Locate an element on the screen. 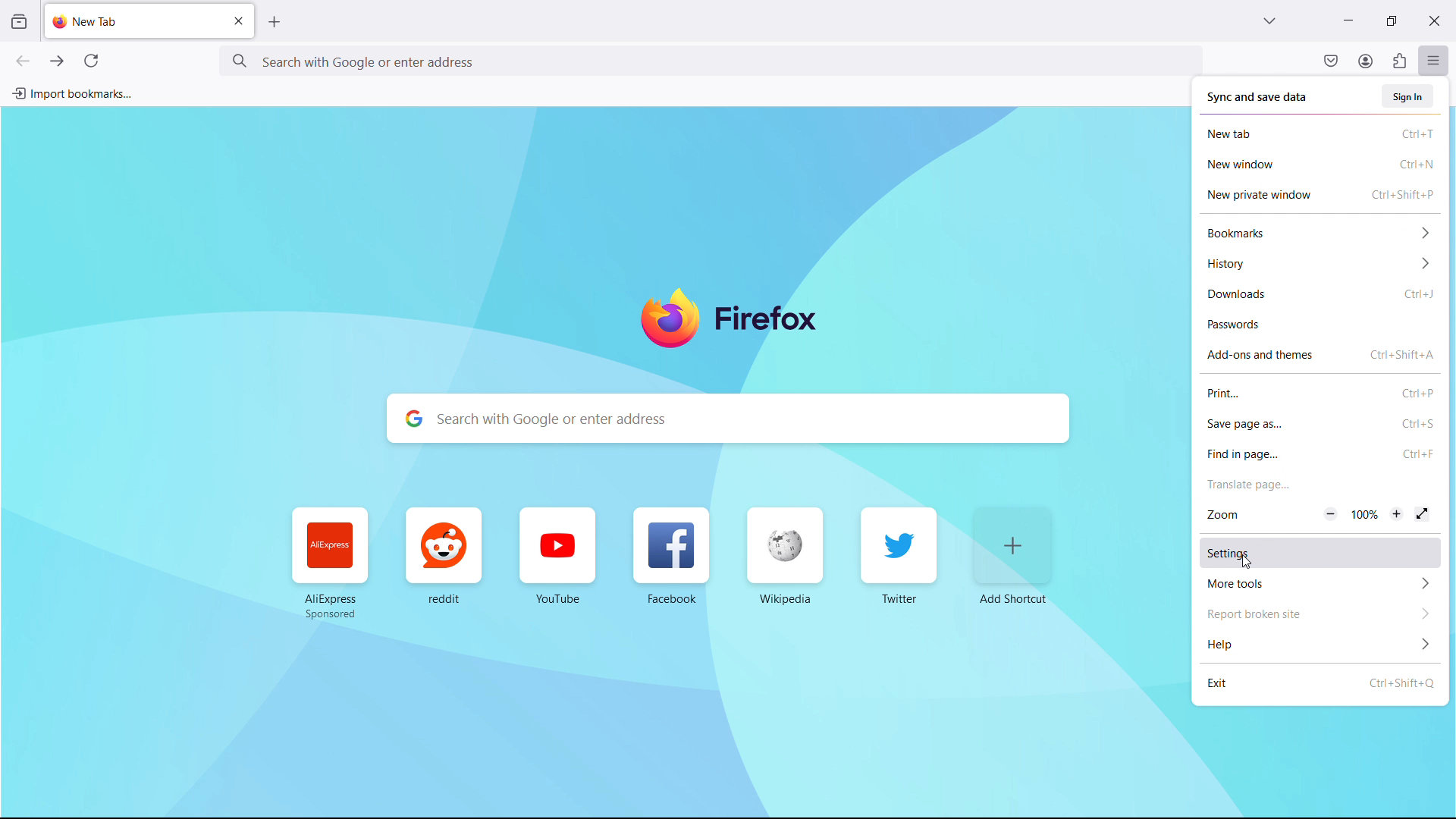  downloads is located at coordinates (1322, 296).